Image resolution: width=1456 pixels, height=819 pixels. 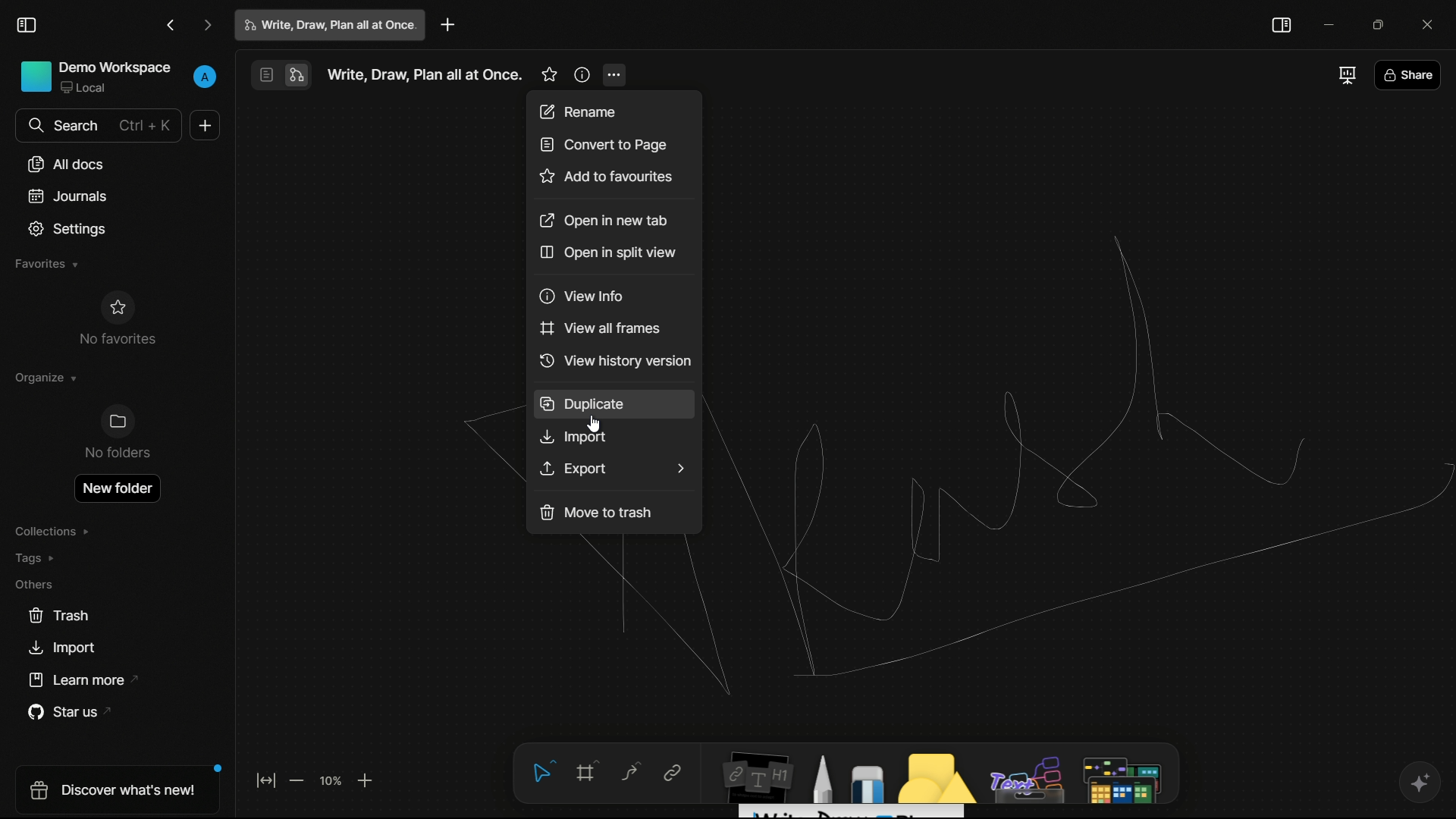 What do you see at coordinates (118, 340) in the screenshot?
I see `No favorites` at bounding box center [118, 340].